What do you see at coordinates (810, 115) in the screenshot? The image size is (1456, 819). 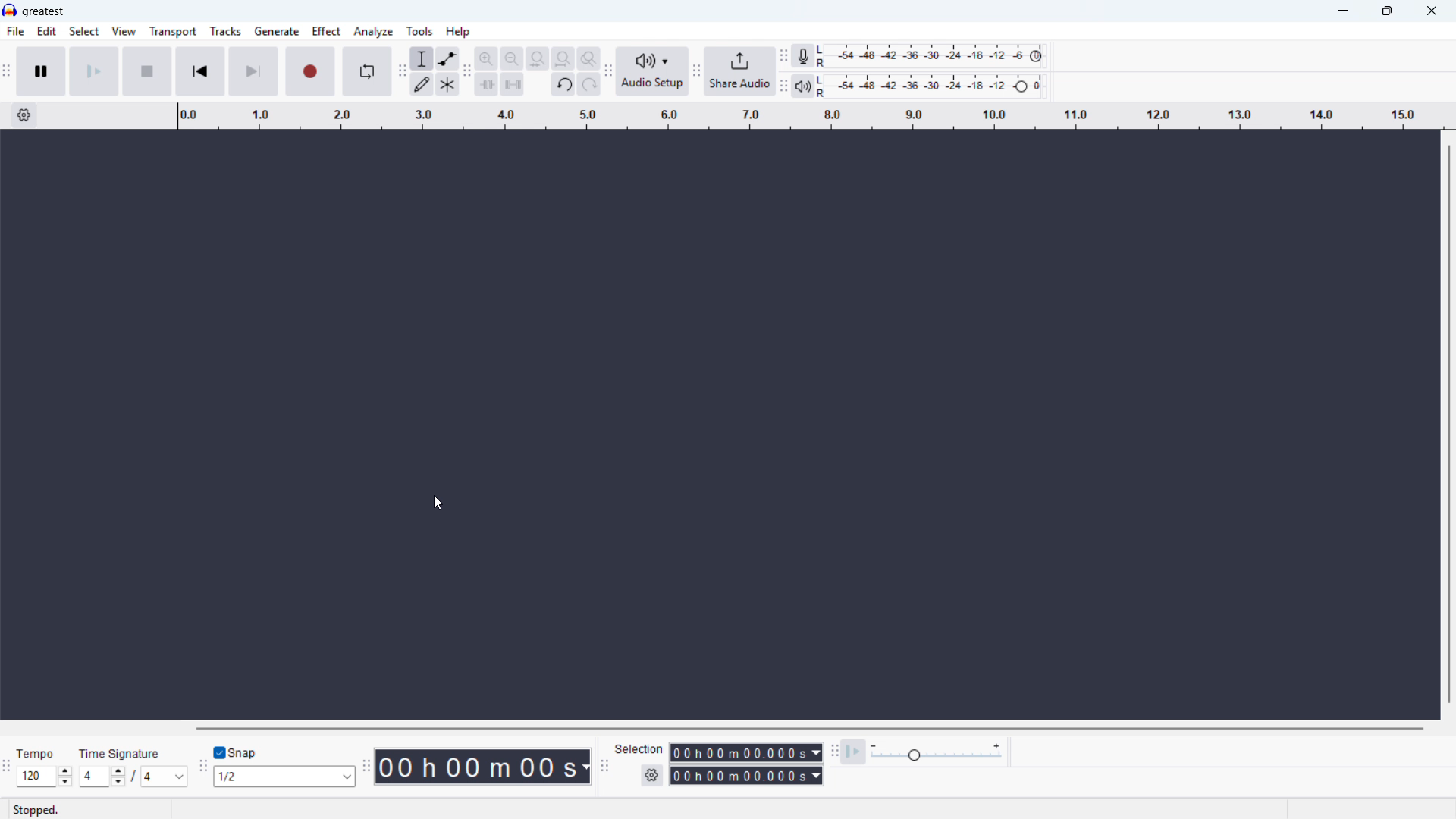 I see `Timeline ` at bounding box center [810, 115].